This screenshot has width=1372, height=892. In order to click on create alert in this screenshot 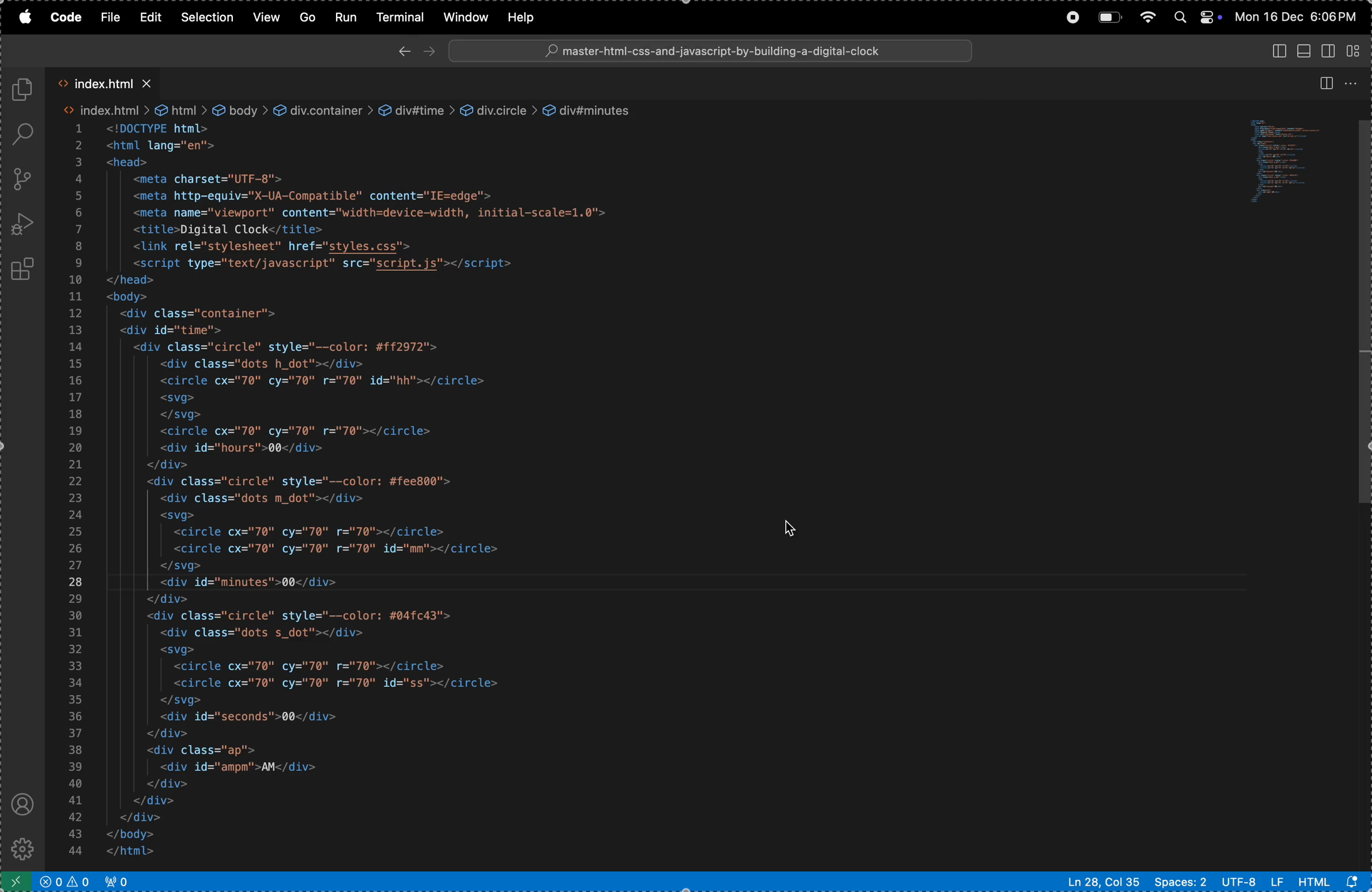, I will do `click(65, 882)`.